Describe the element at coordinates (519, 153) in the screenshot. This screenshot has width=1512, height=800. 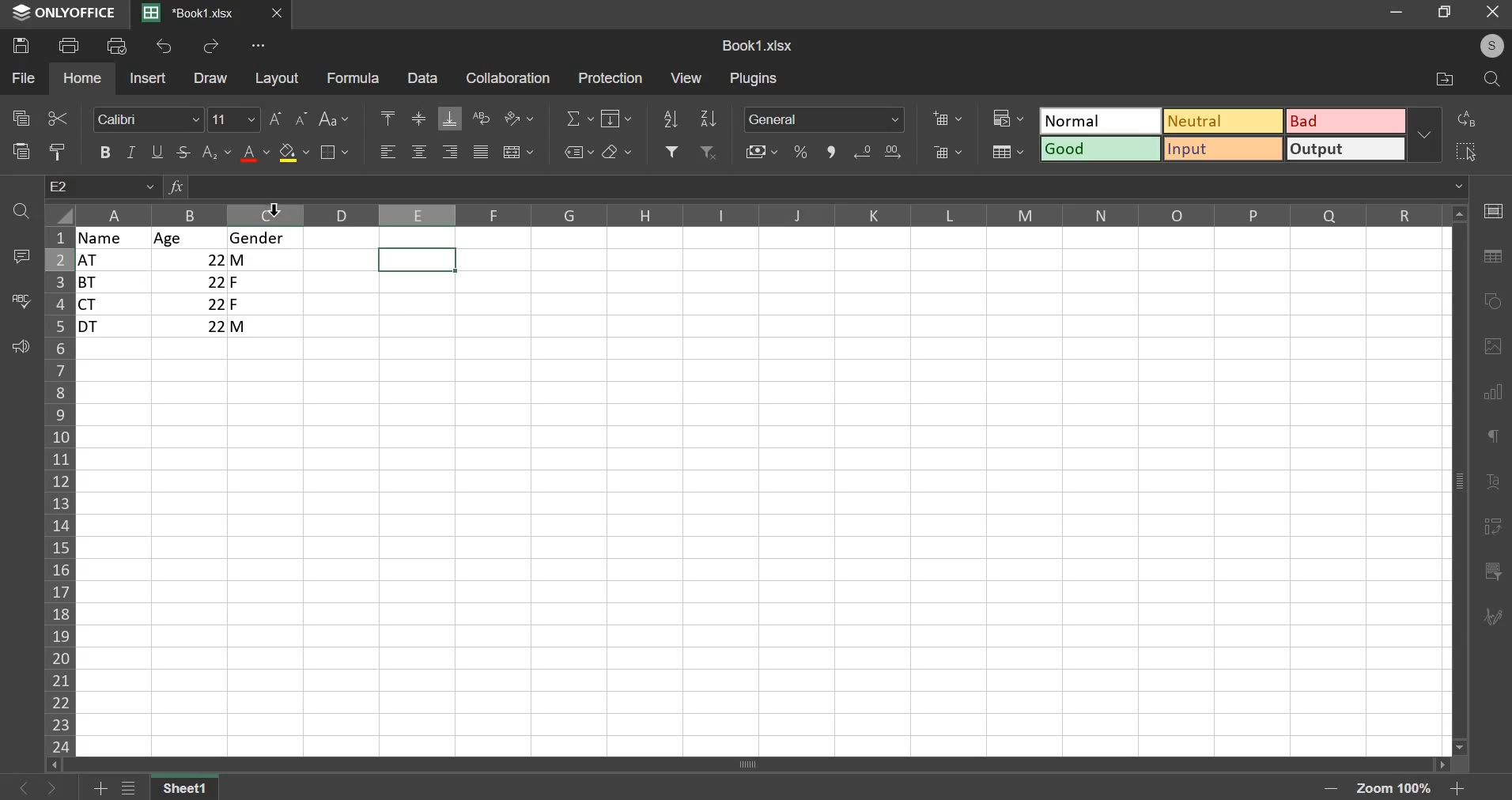
I see `merge and center` at that location.